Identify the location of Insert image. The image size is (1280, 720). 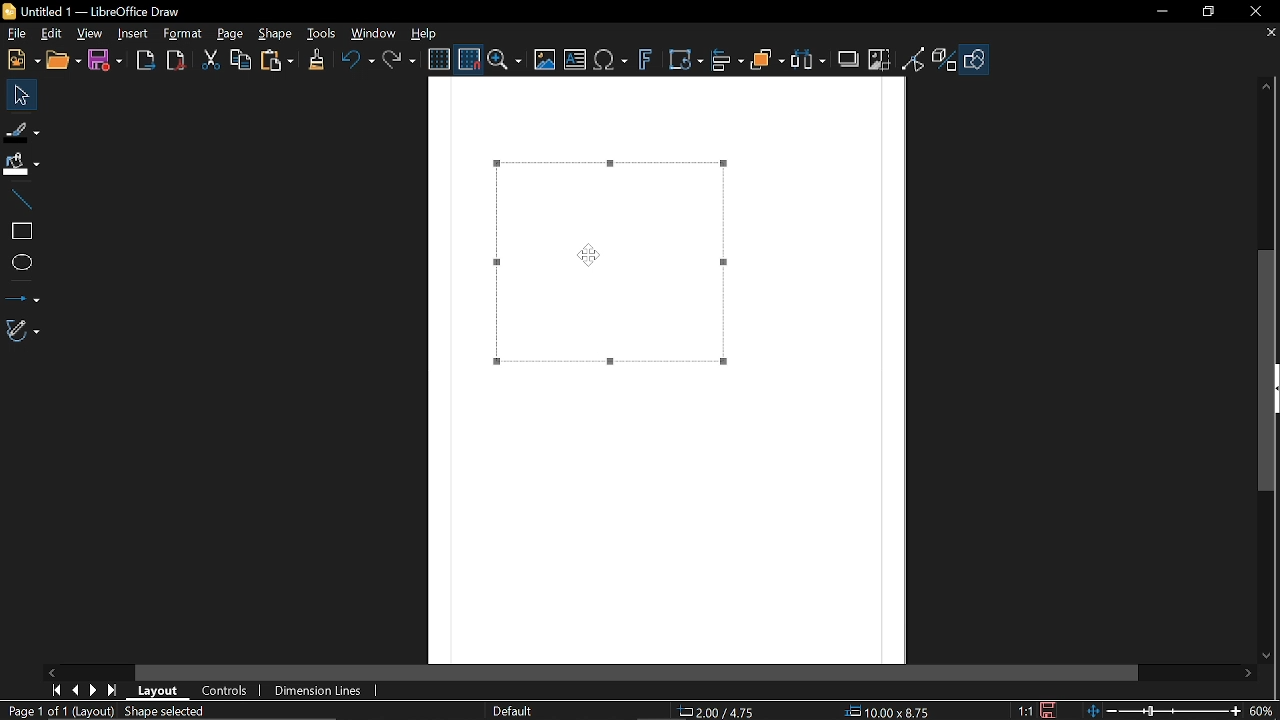
(543, 61).